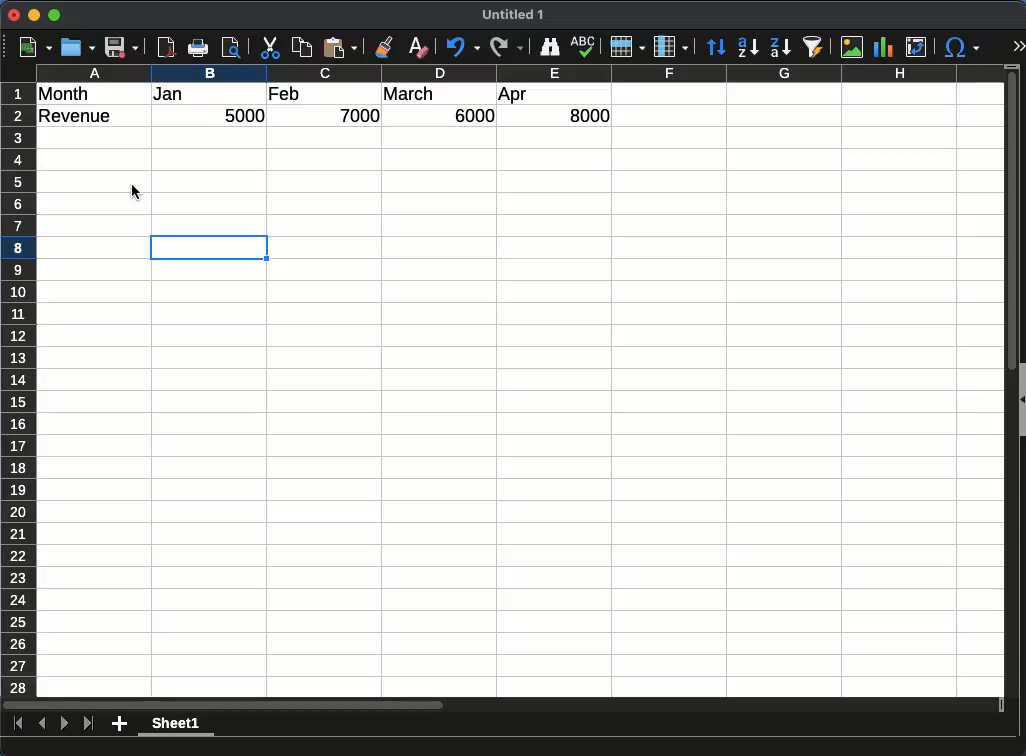 Image resolution: width=1026 pixels, height=756 pixels. I want to click on descending, so click(782, 47).